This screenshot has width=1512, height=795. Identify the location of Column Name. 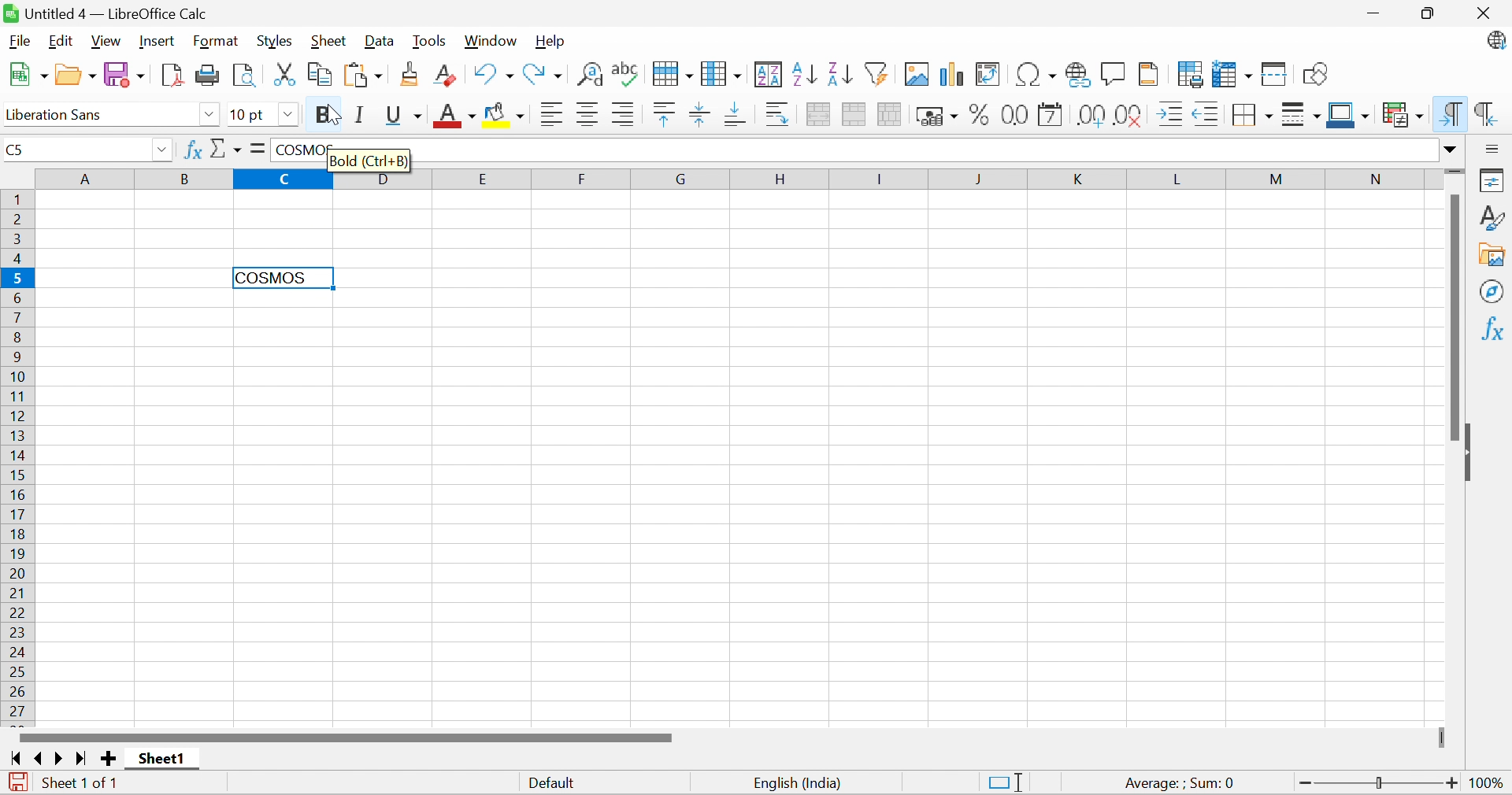
(721, 179).